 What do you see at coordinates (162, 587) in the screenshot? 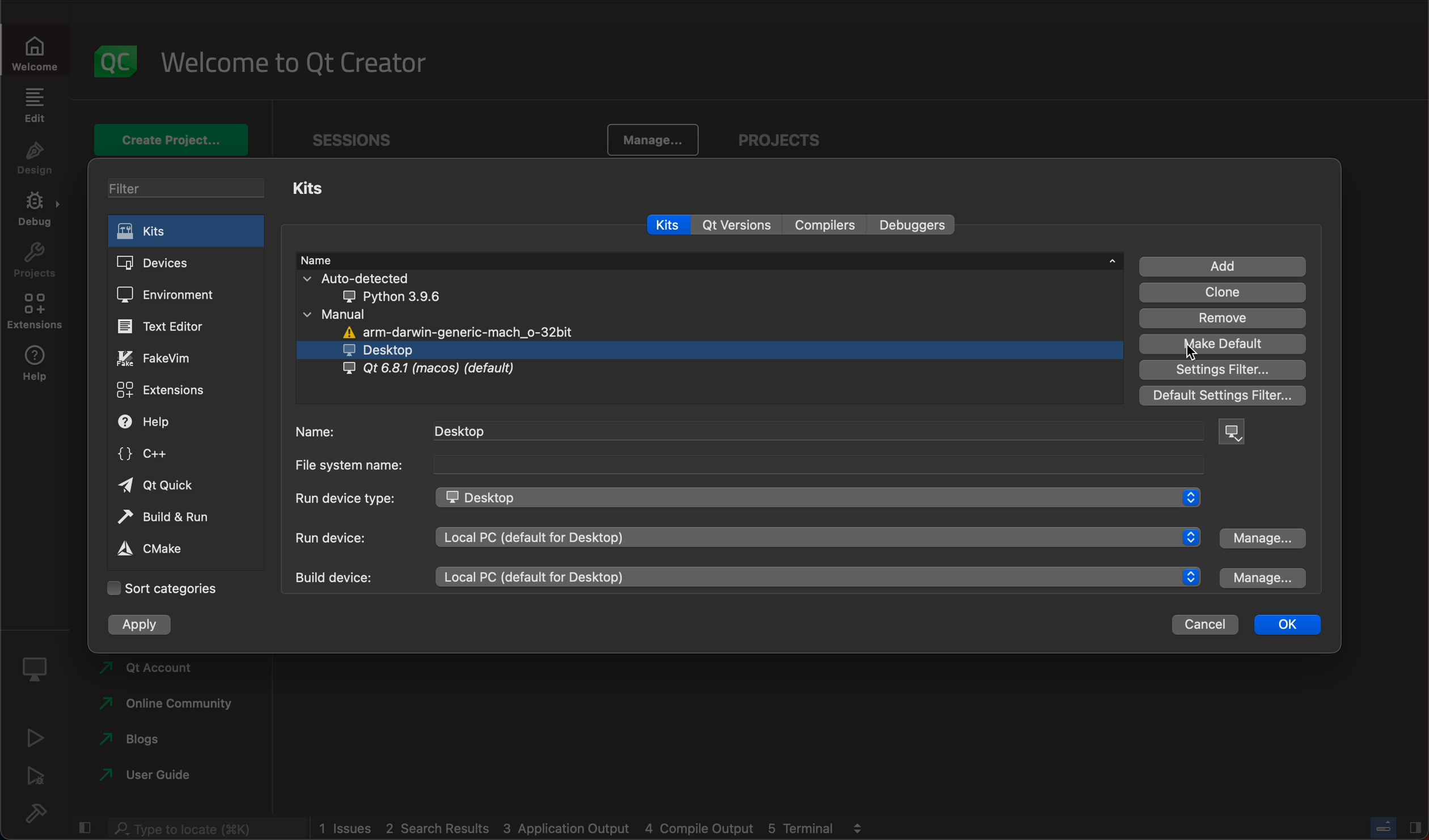
I see `sort categories` at bounding box center [162, 587].